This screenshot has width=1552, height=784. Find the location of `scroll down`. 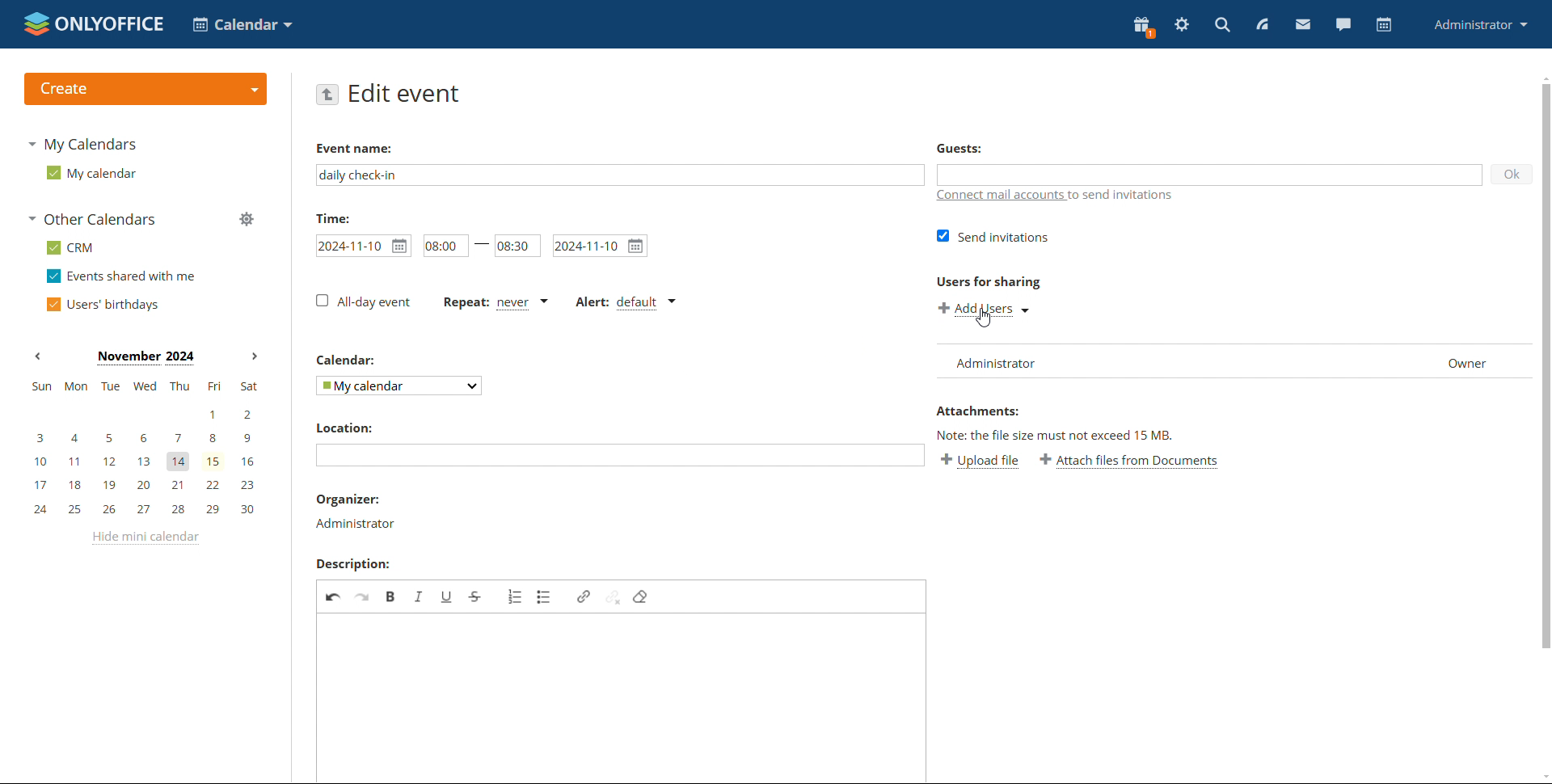

scroll down is located at coordinates (1542, 776).